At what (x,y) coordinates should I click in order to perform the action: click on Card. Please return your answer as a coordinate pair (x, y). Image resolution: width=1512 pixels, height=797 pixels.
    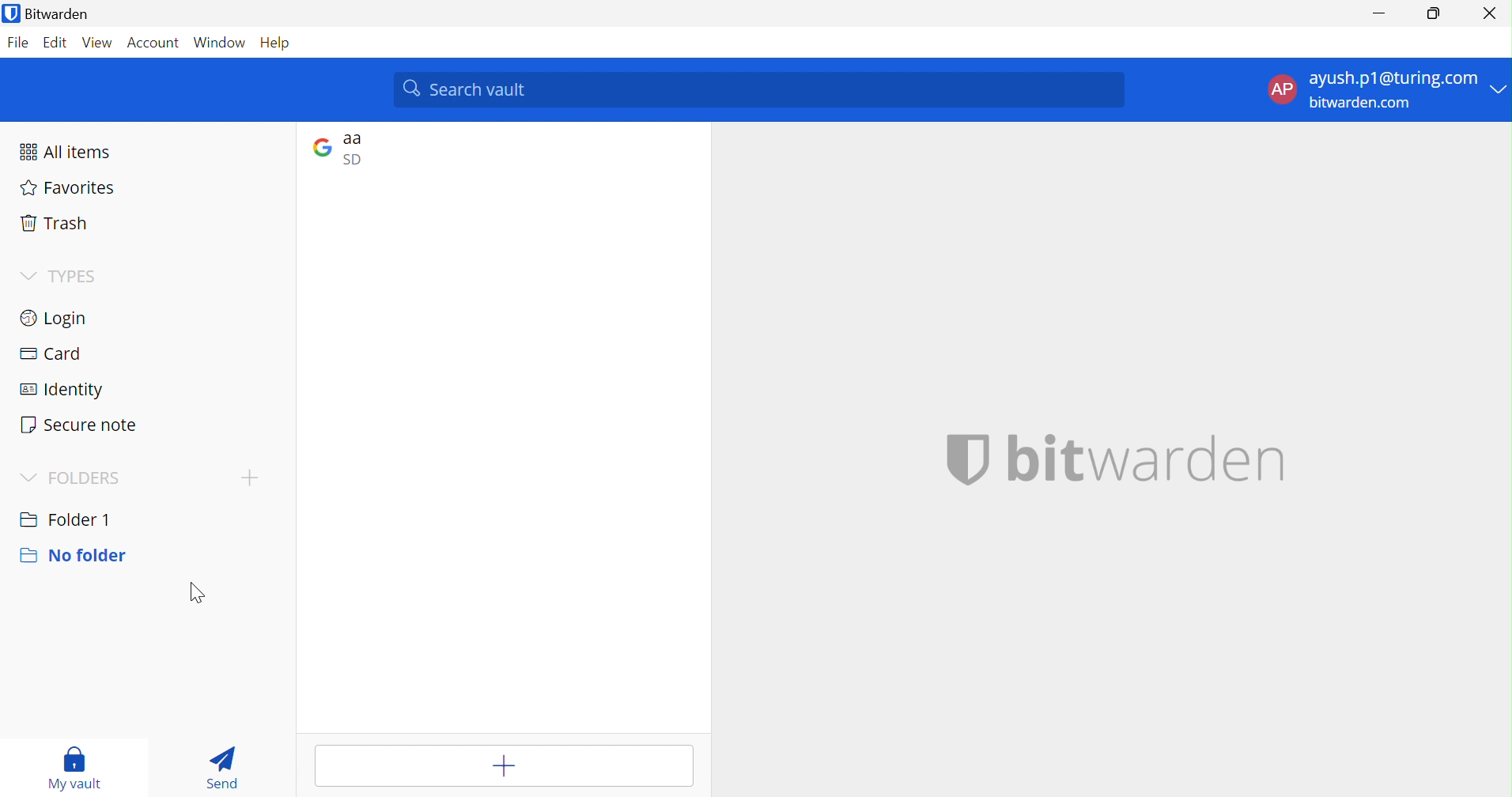
    Looking at the image, I should click on (54, 353).